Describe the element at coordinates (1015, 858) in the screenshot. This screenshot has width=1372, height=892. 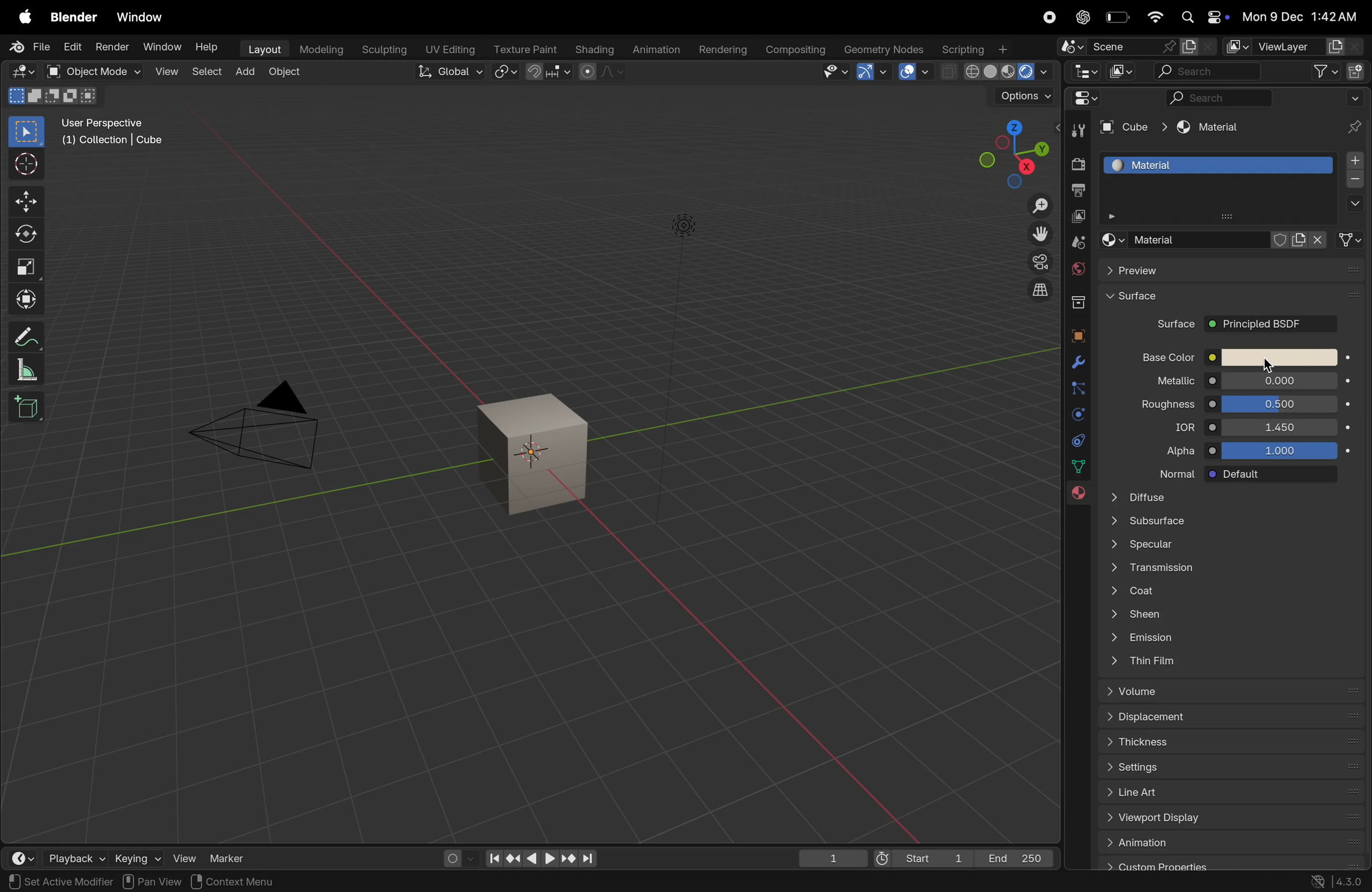
I see `End 250` at that location.